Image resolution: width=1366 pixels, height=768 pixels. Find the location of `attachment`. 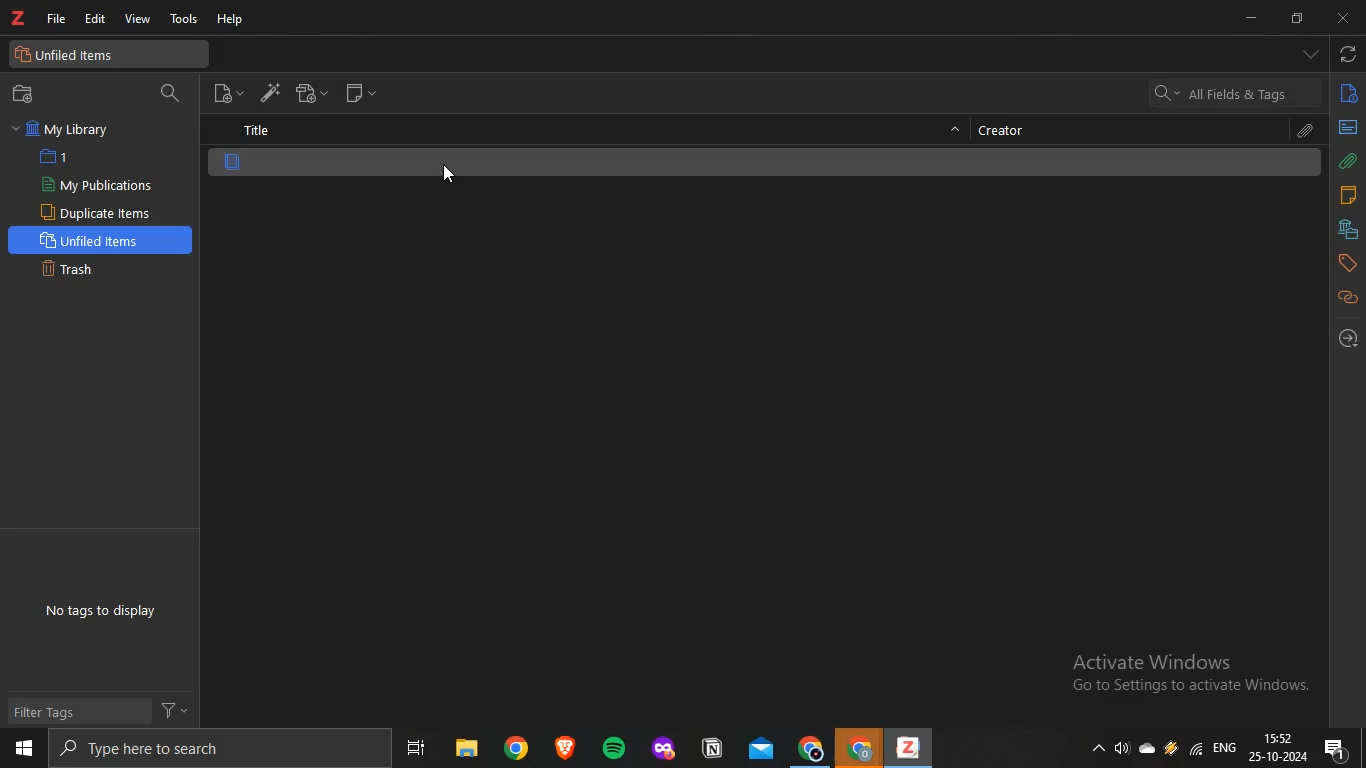

attachment is located at coordinates (1307, 131).